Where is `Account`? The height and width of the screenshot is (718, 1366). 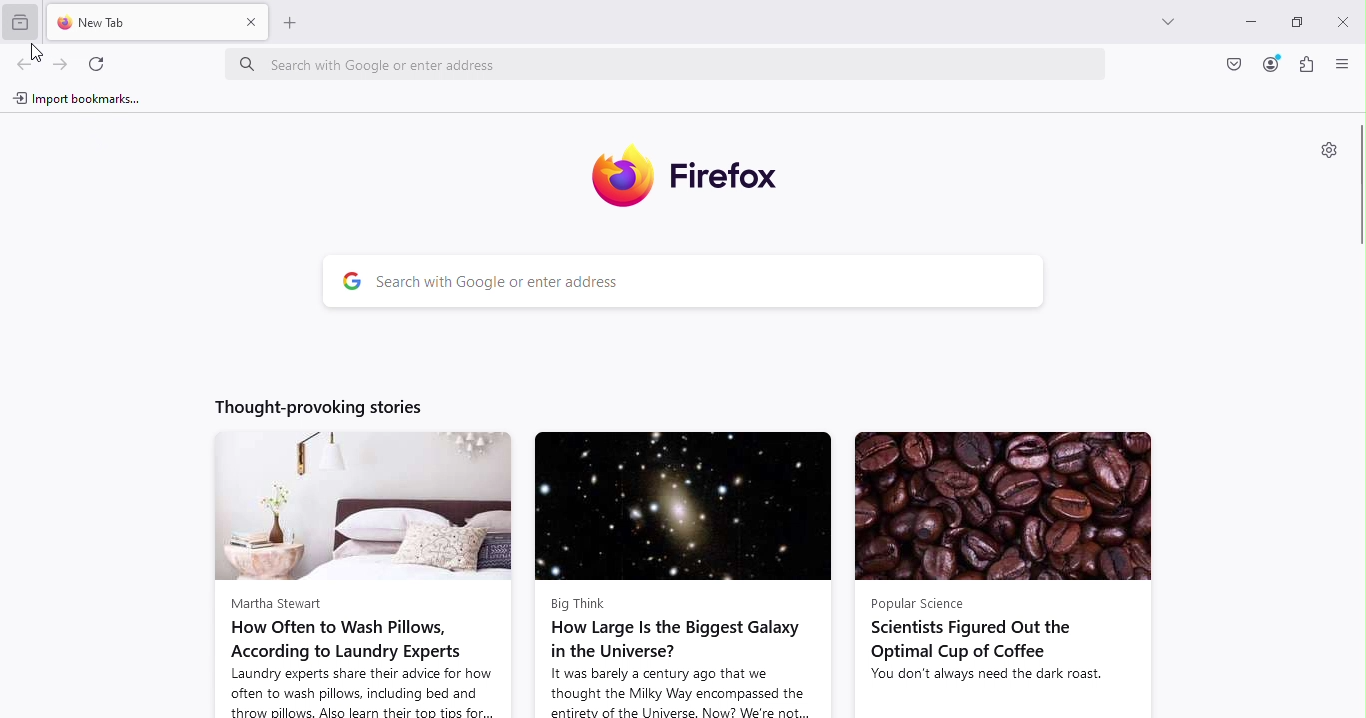 Account is located at coordinates (1271, 63).